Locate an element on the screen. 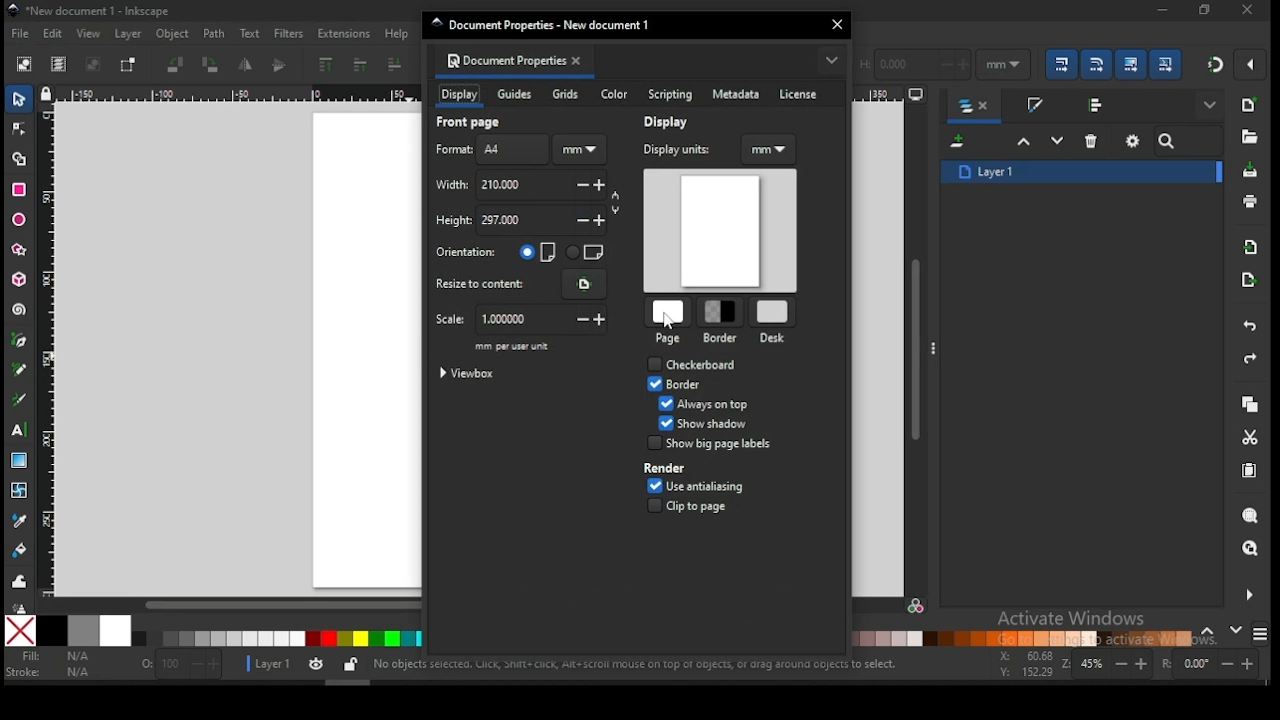 The image size is (1280, 720). align and distribute is located at coordinates (1098, 104).